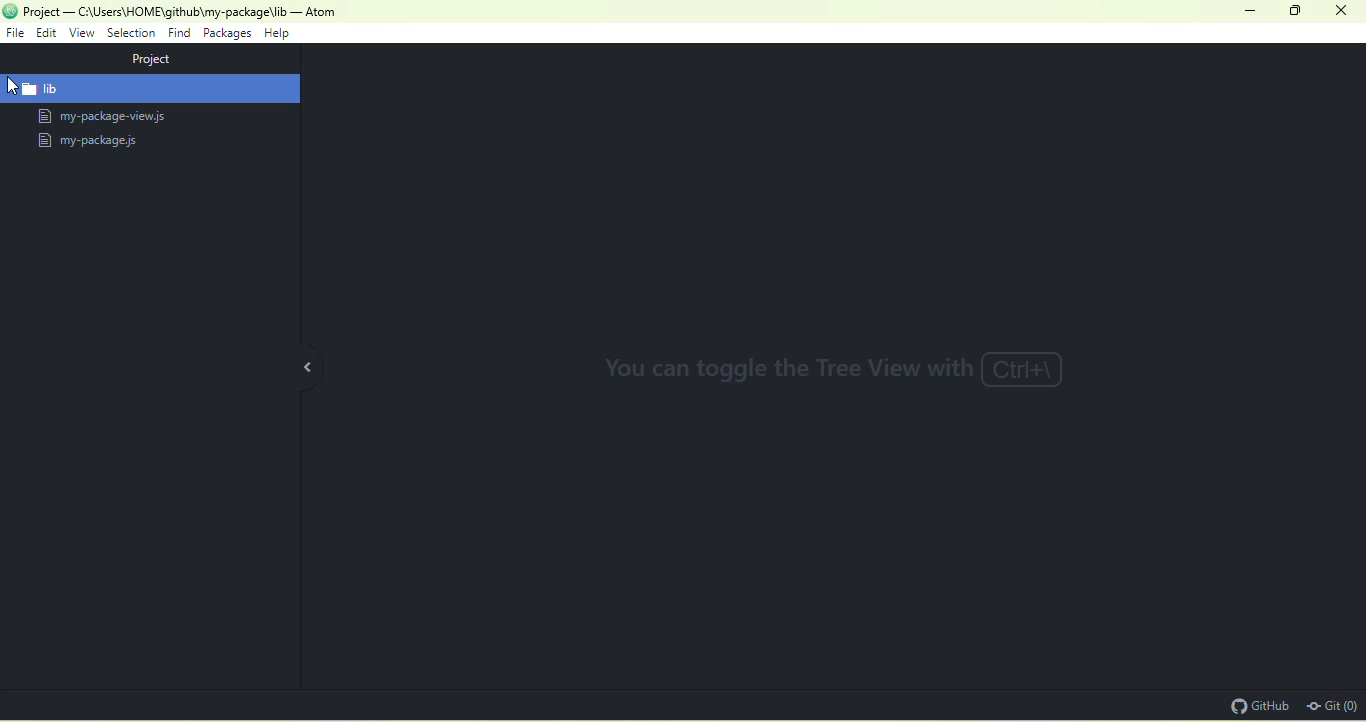  I want to click on help, so click(277, 34).